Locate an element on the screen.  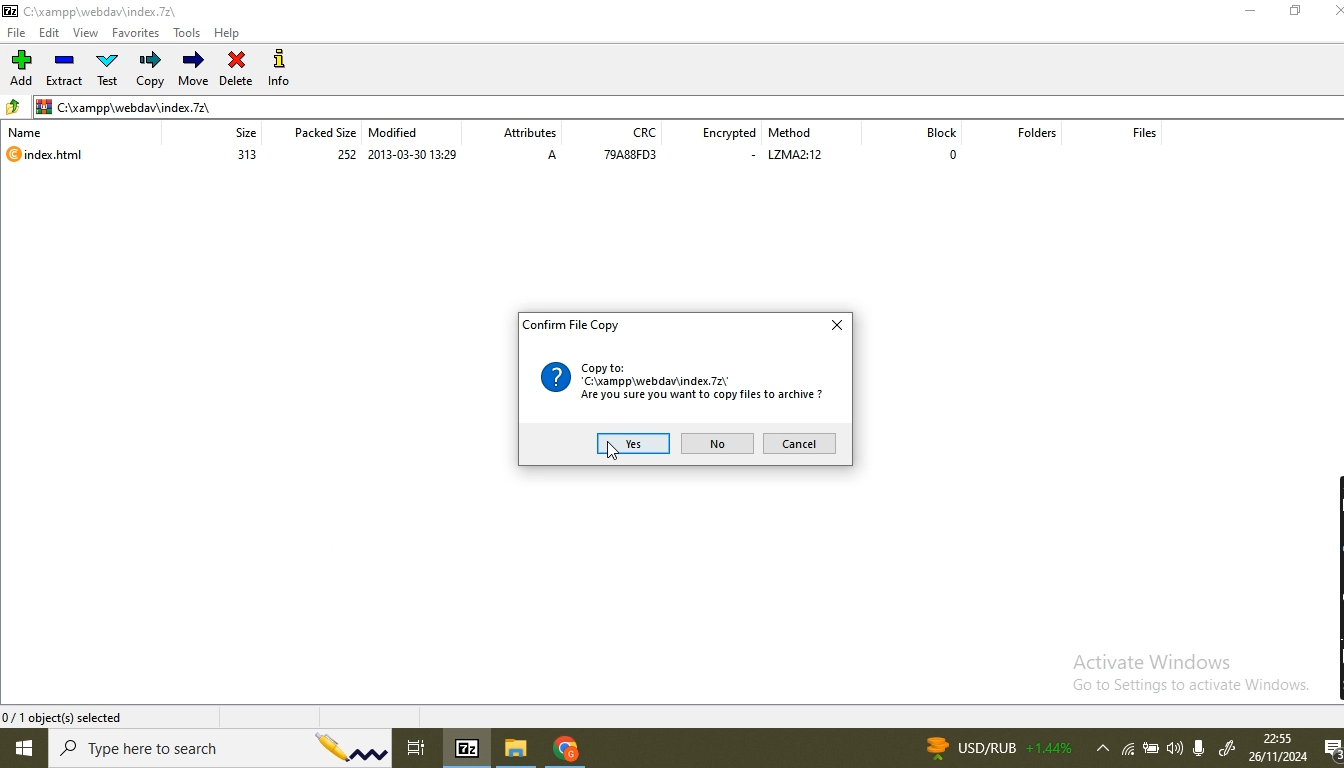
help is located at coordinates (230, 32).